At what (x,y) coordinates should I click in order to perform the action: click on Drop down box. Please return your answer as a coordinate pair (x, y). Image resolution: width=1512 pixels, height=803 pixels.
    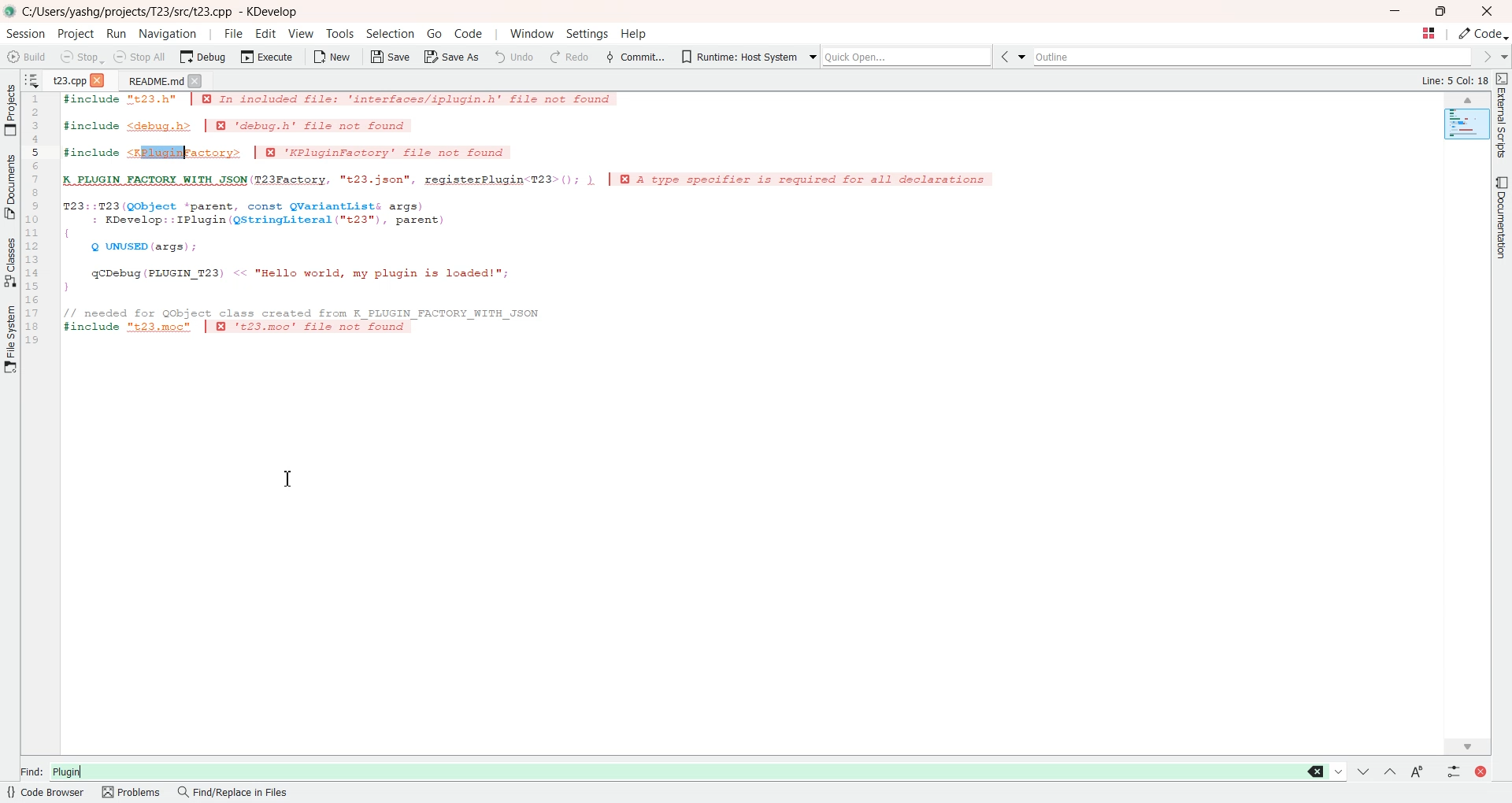
    Looking at the image, I should click on (1025, 57).